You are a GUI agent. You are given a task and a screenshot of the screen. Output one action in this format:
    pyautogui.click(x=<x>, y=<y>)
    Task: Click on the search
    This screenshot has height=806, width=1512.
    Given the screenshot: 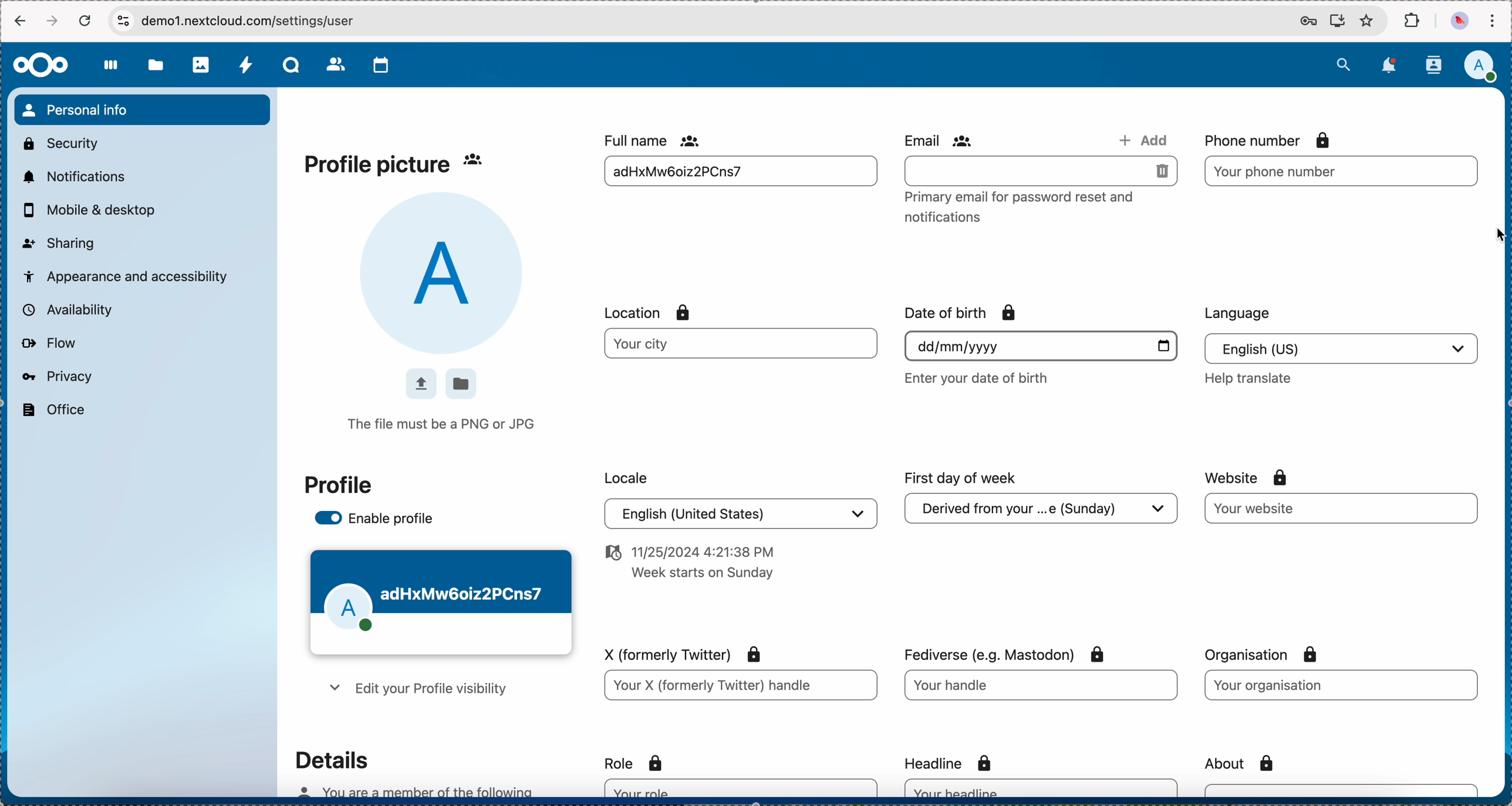 What is the action you would take?
    pyautogui.click(x=1343, y=63)
    